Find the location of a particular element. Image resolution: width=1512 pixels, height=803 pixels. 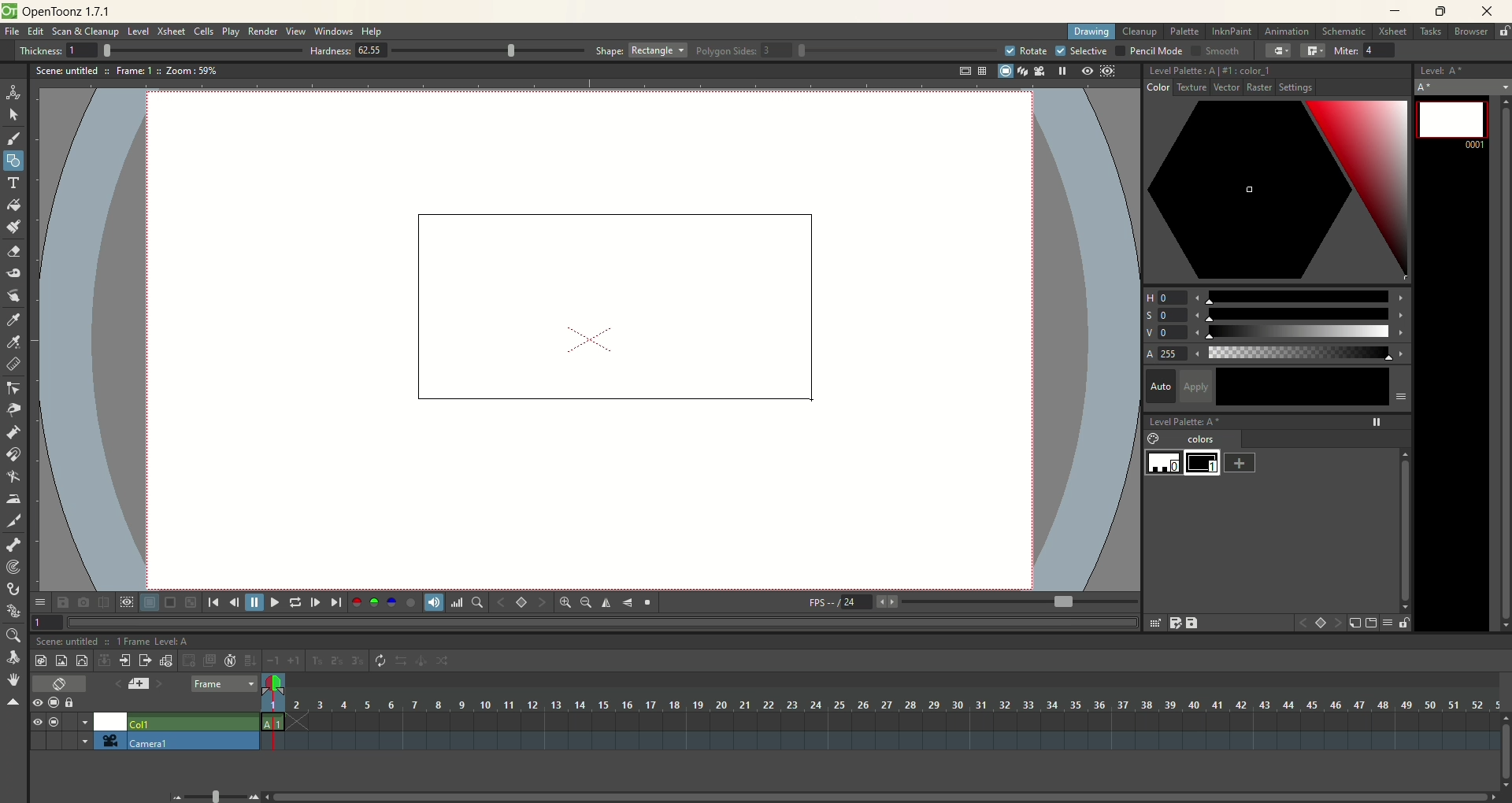

next key is located at coordinates (1339, 624).